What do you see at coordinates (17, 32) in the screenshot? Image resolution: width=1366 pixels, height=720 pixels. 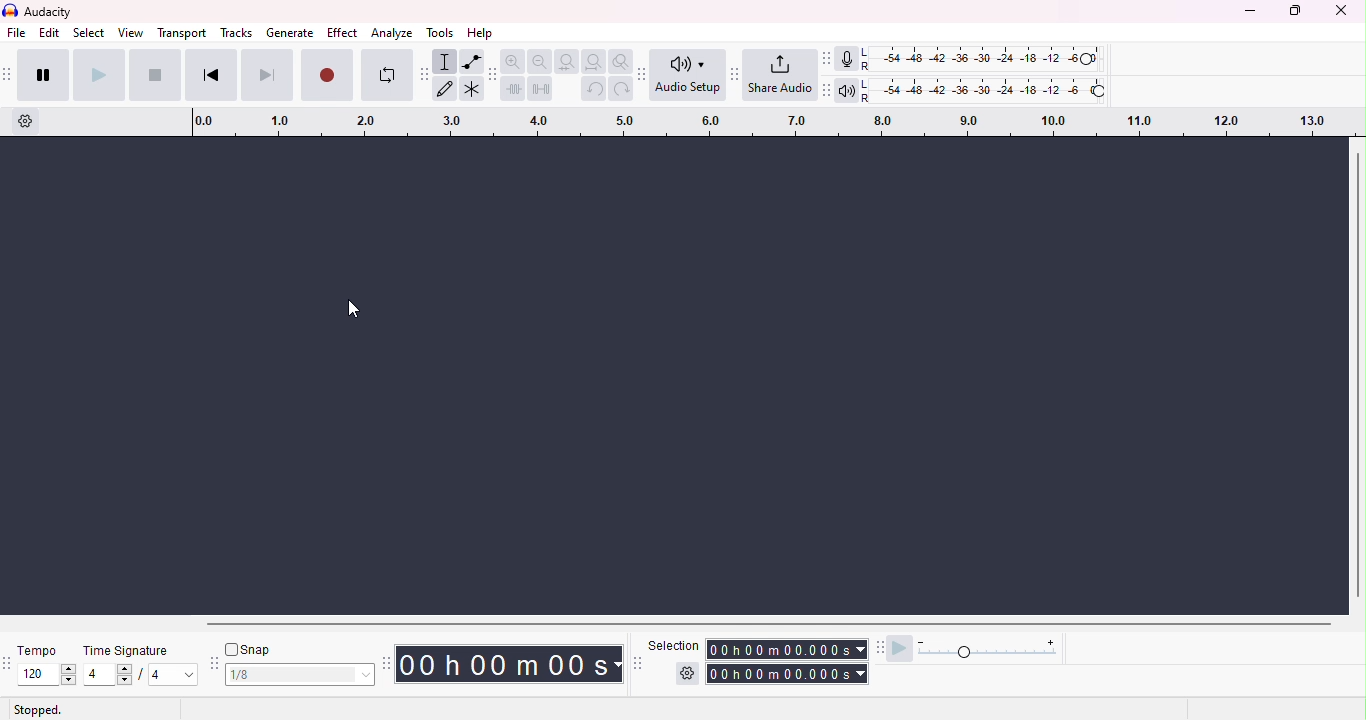 I see `file` at bounding box center [17, 32].